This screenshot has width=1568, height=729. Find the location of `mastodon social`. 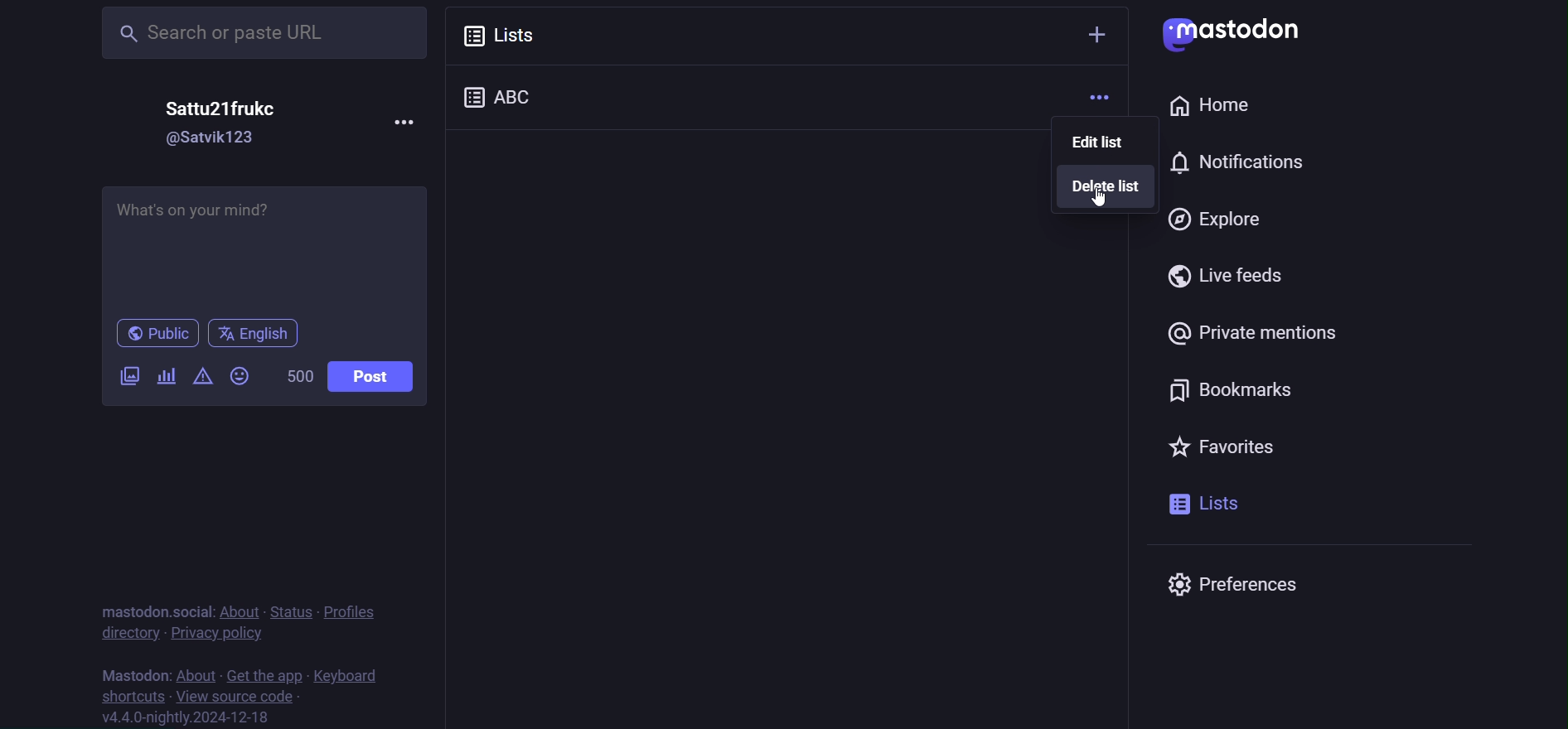

mastodon social is located at coordinates (152, 608).